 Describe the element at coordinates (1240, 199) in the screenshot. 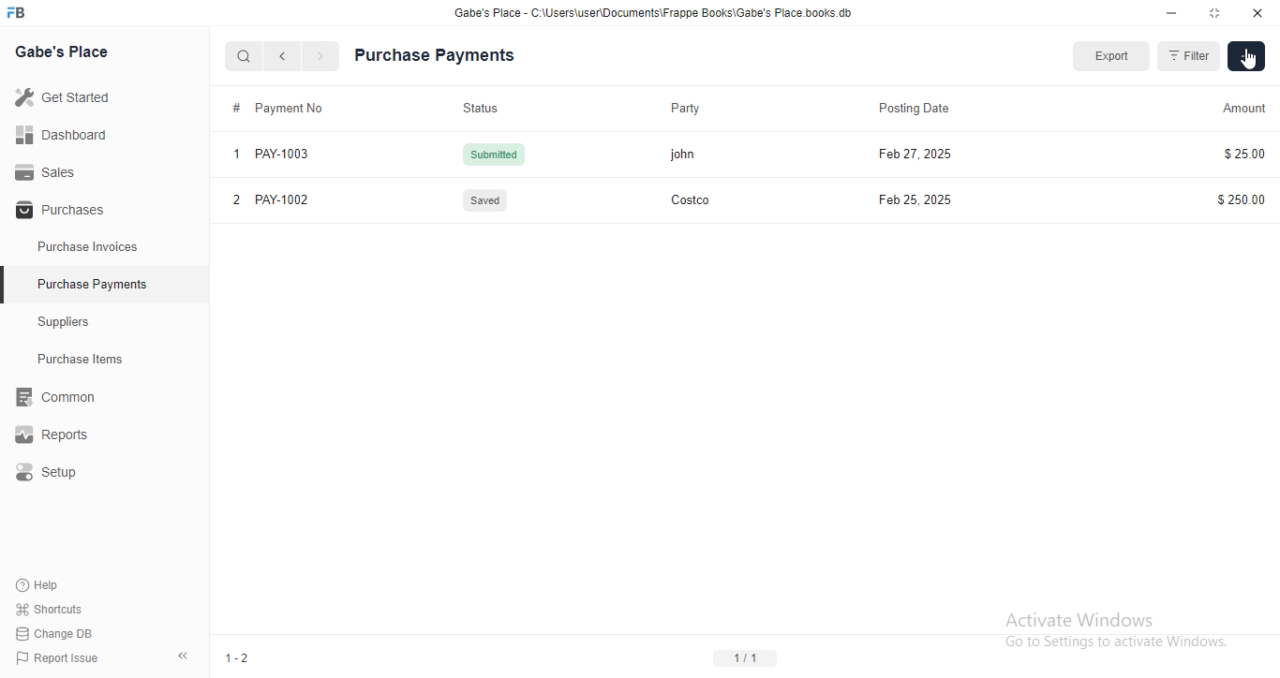

I see `$250.00` at that location.